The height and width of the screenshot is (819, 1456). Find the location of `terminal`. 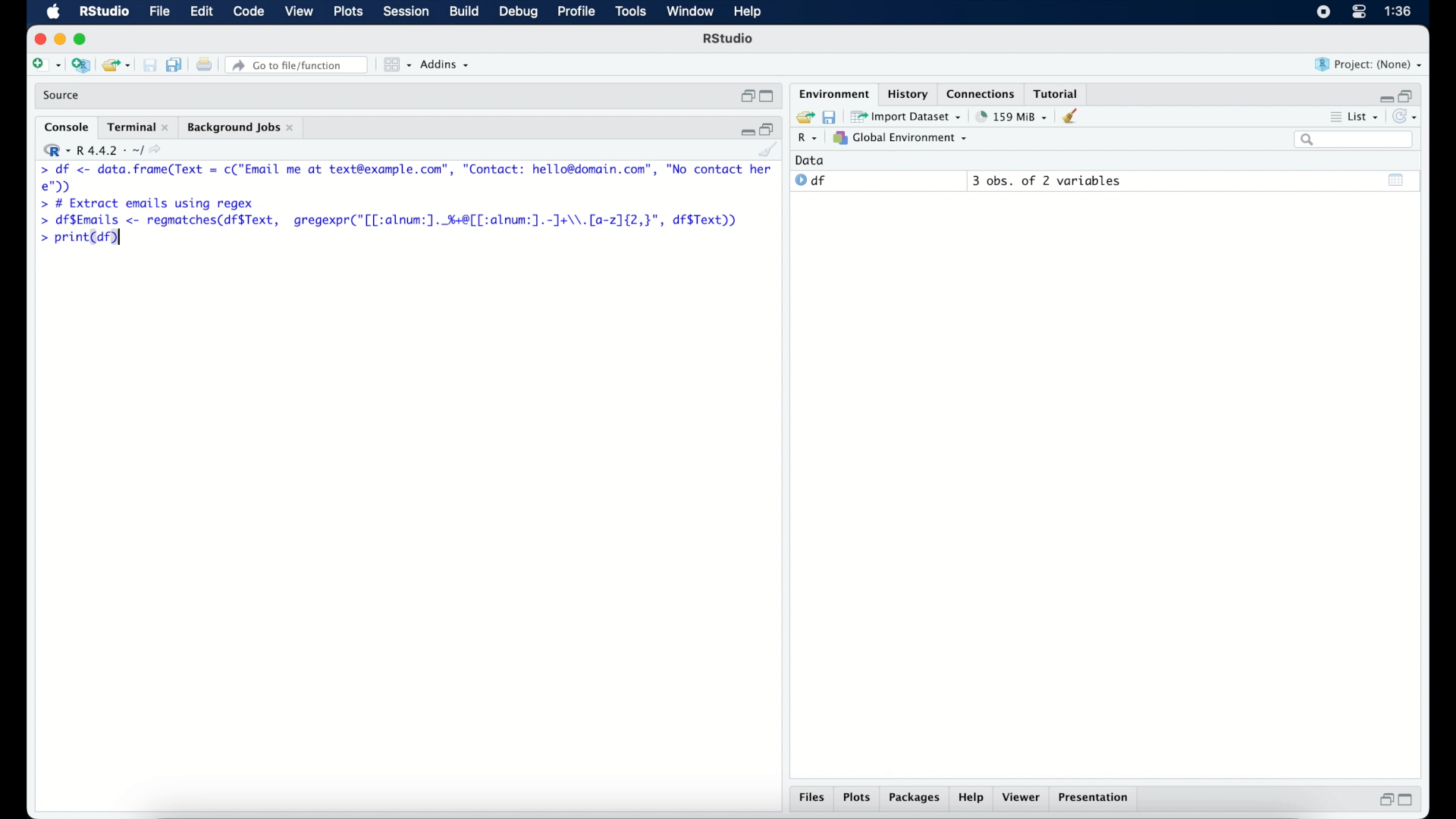

terminal is located at coordinates (137, 127).